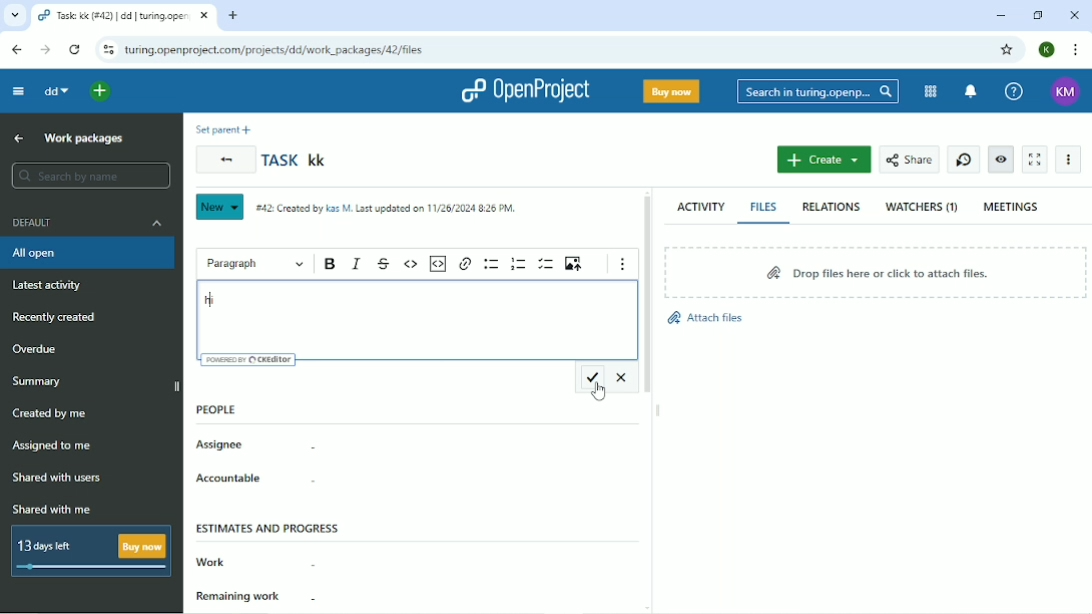 The image size is (1092, 614). I want to click on Unwatch work package, so click(1000, 159).